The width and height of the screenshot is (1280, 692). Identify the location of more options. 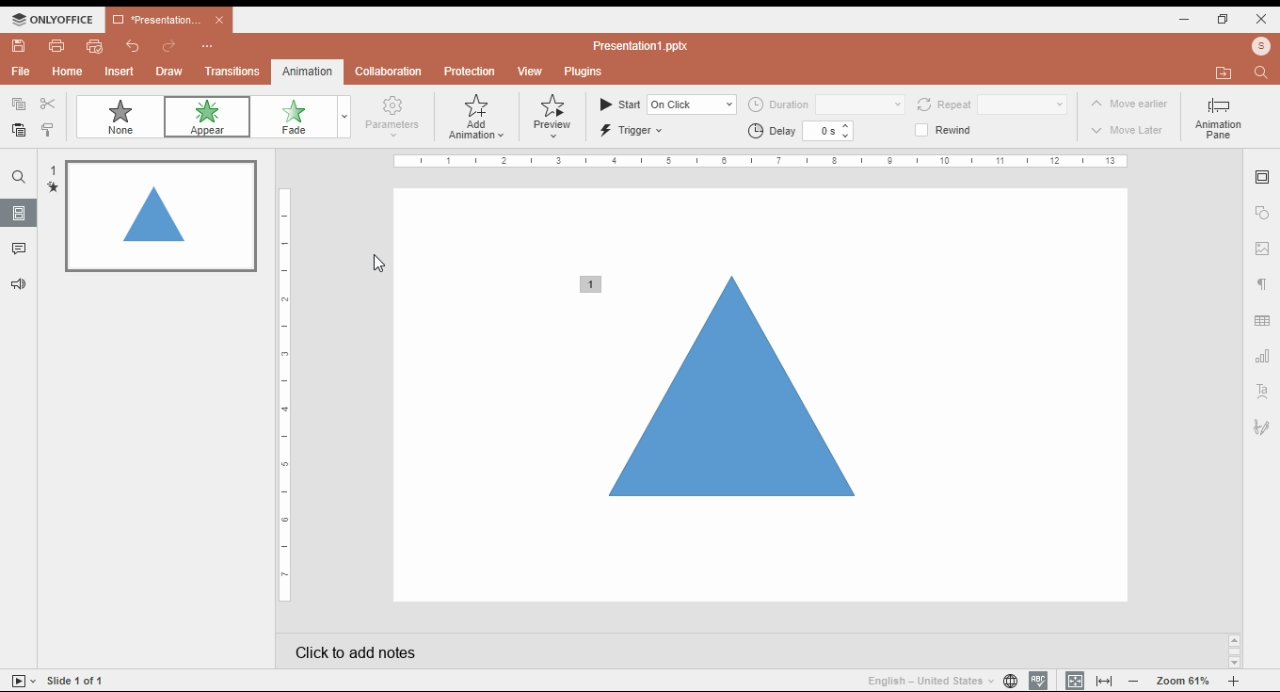
(207, 47).